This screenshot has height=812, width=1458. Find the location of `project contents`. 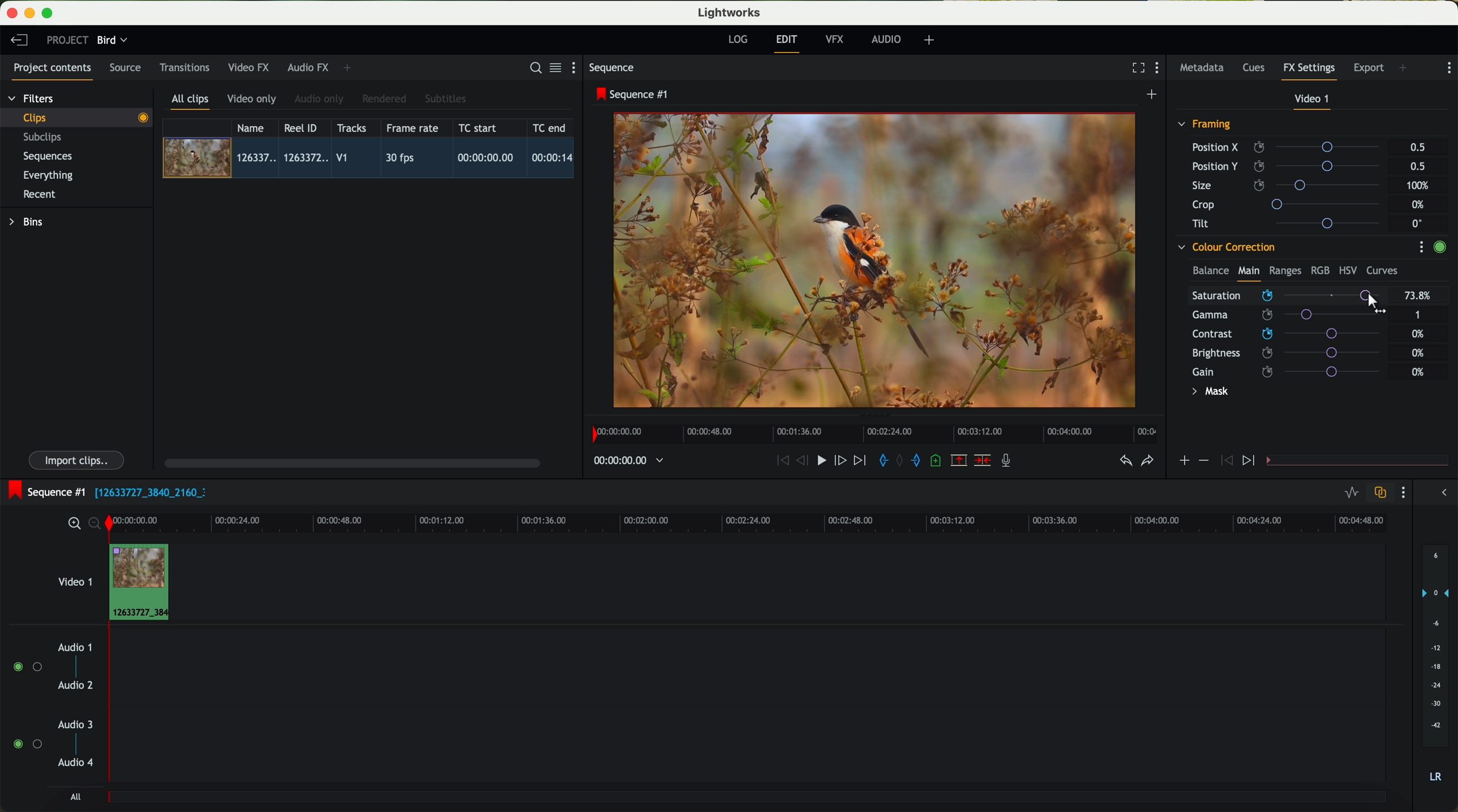

project contents is located at coordinates (53, 71).